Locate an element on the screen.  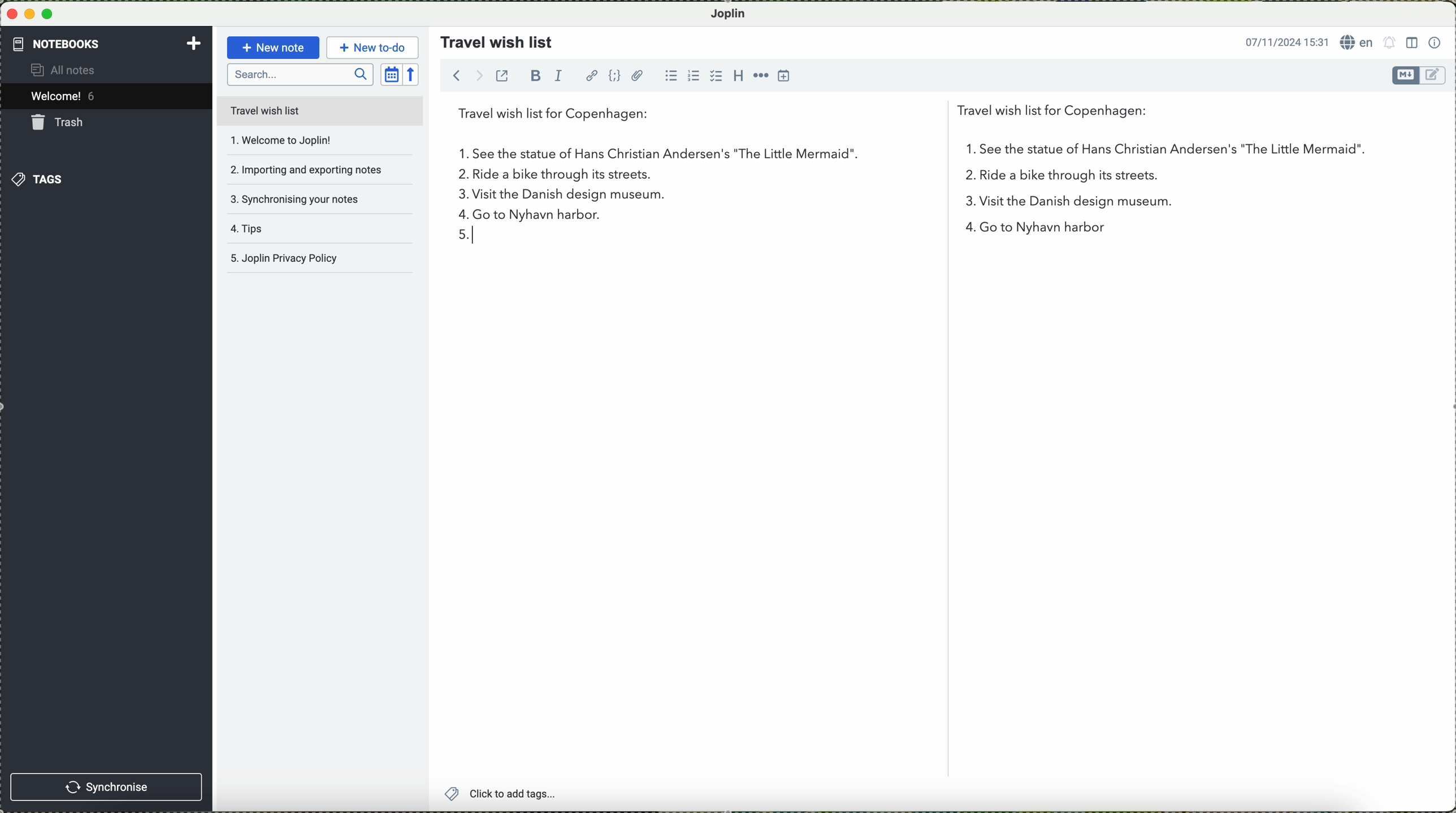
toggle editor layout is located at coordinates (1411, 43).